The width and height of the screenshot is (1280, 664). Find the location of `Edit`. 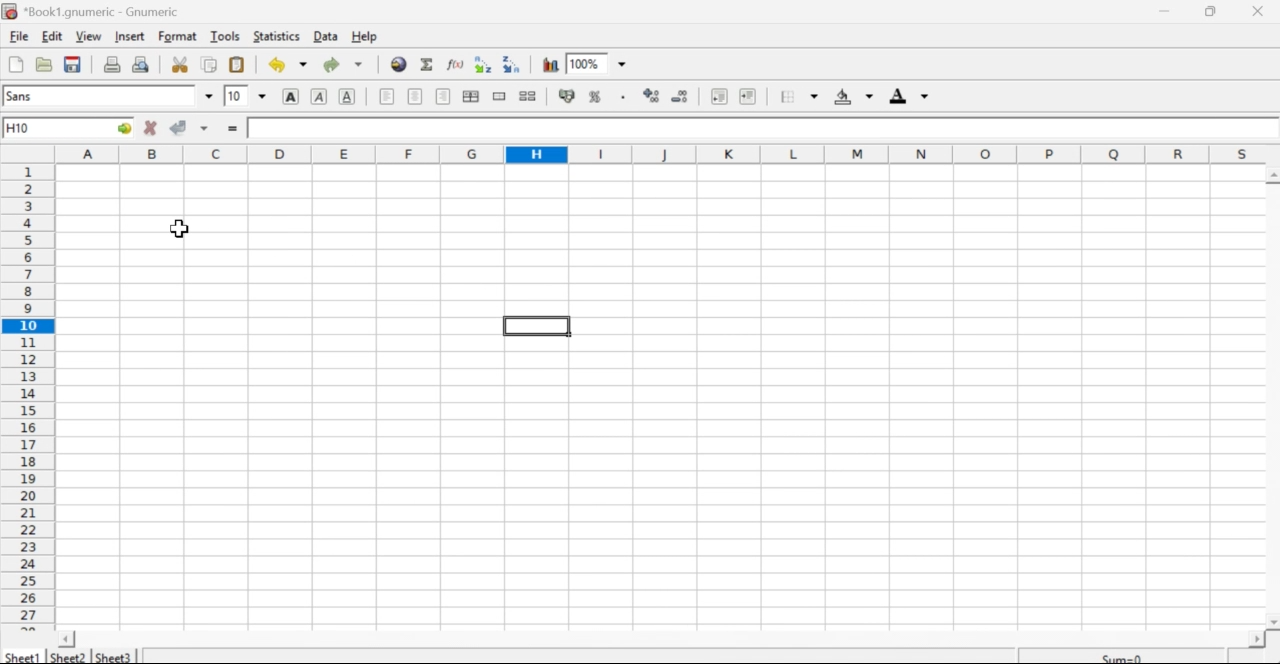

Edit is located at coordinates (53, 36).